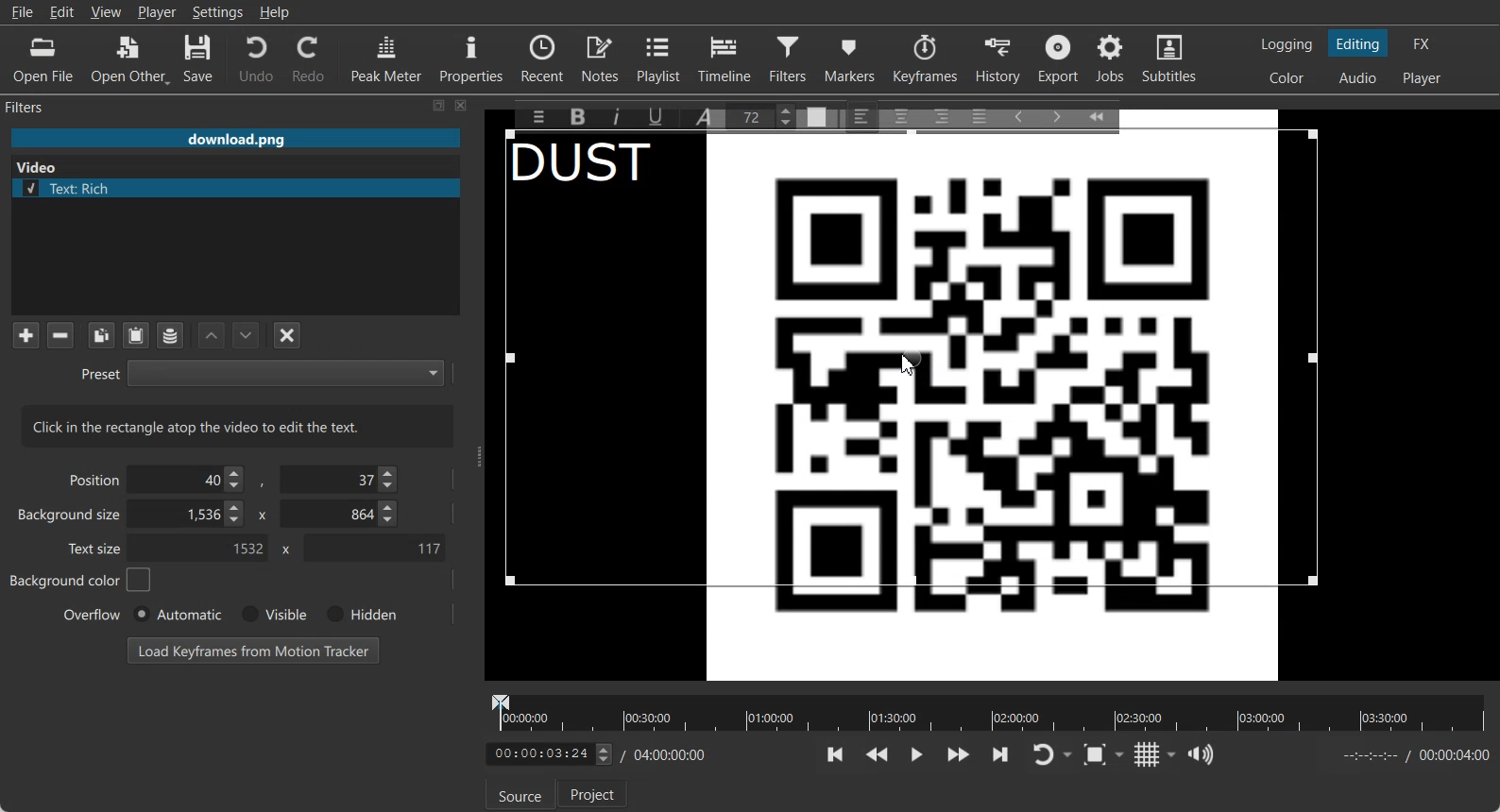 Image resolution: width=1500 pixels, height=812 pixels. I want to click on Edit, so click(62, 11).